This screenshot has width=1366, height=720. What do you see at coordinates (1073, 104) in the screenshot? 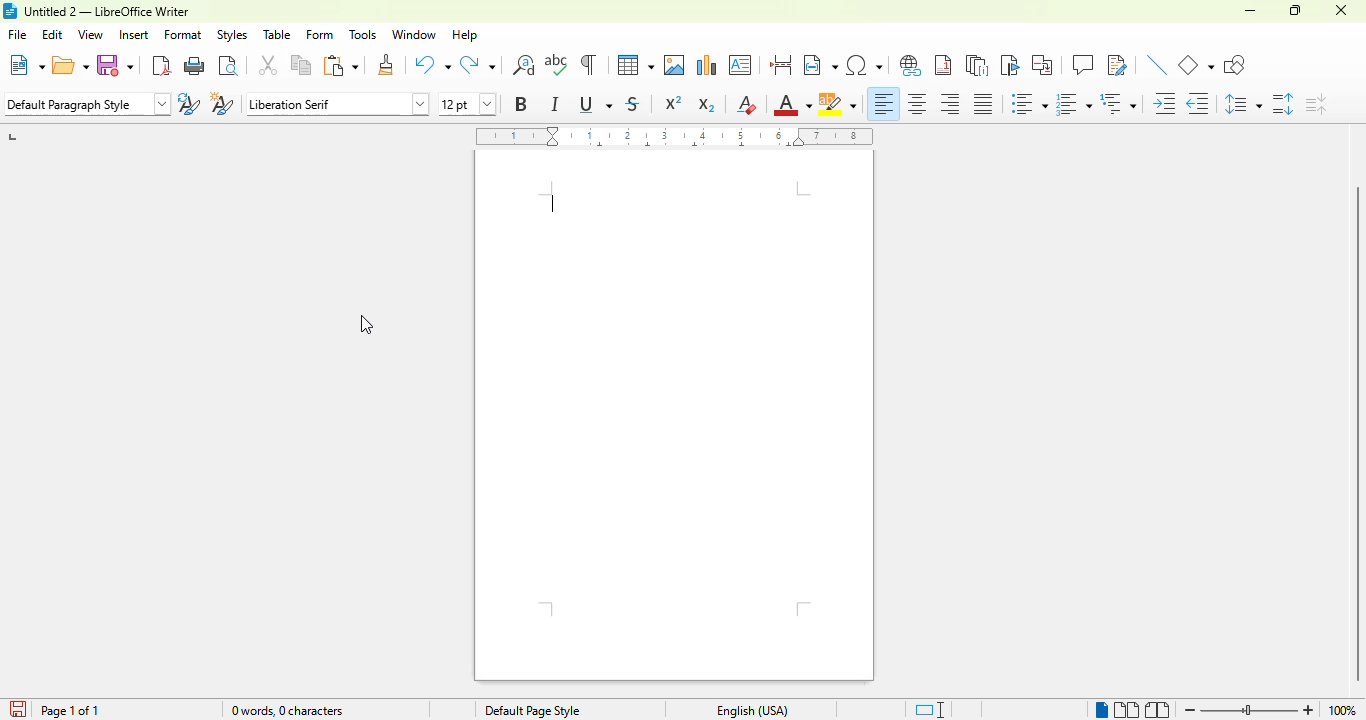
I see `toggle ordered list` at bounding box center [1073, 104].